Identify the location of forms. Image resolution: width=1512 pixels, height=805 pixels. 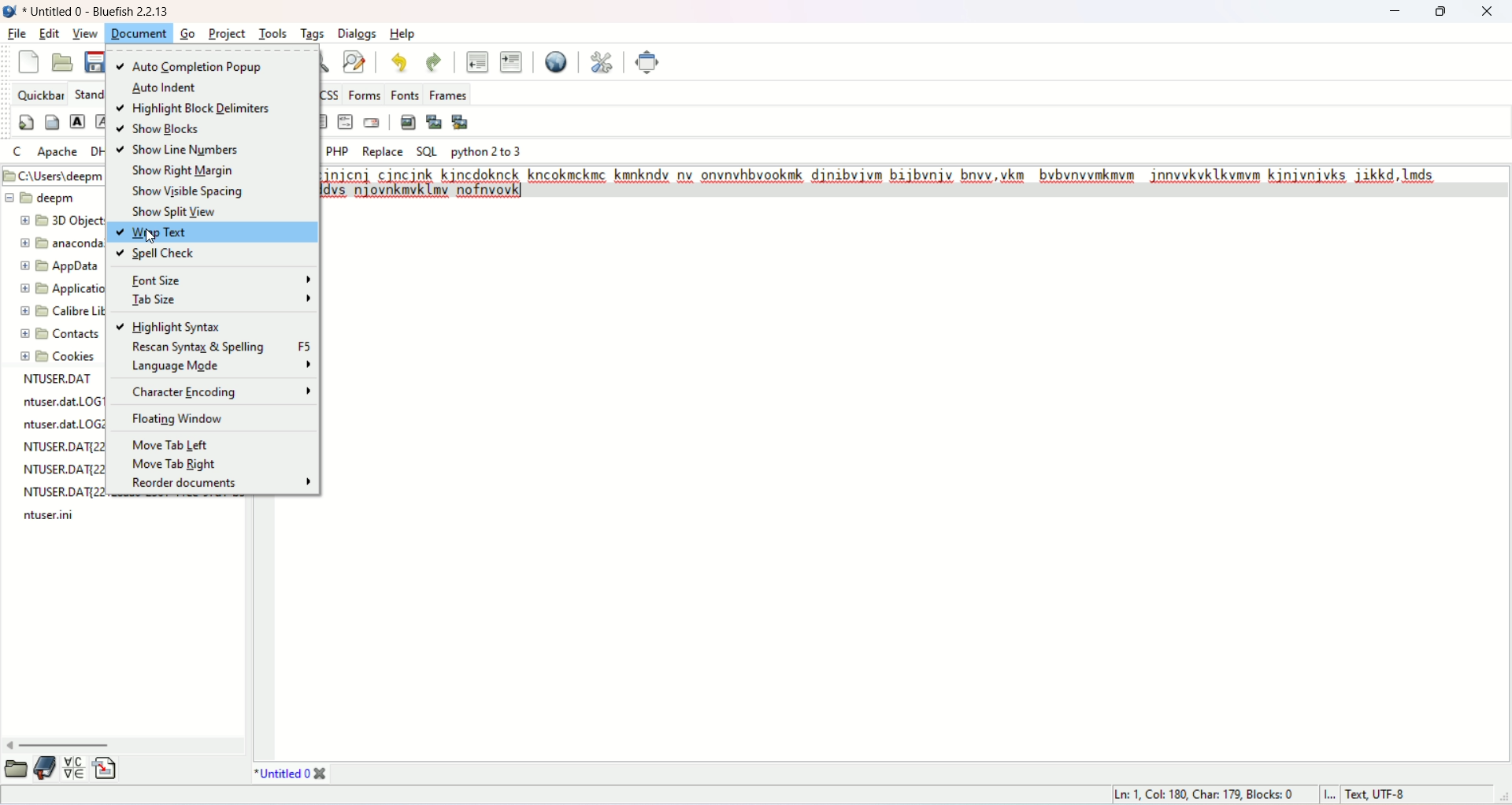
(363, 95).